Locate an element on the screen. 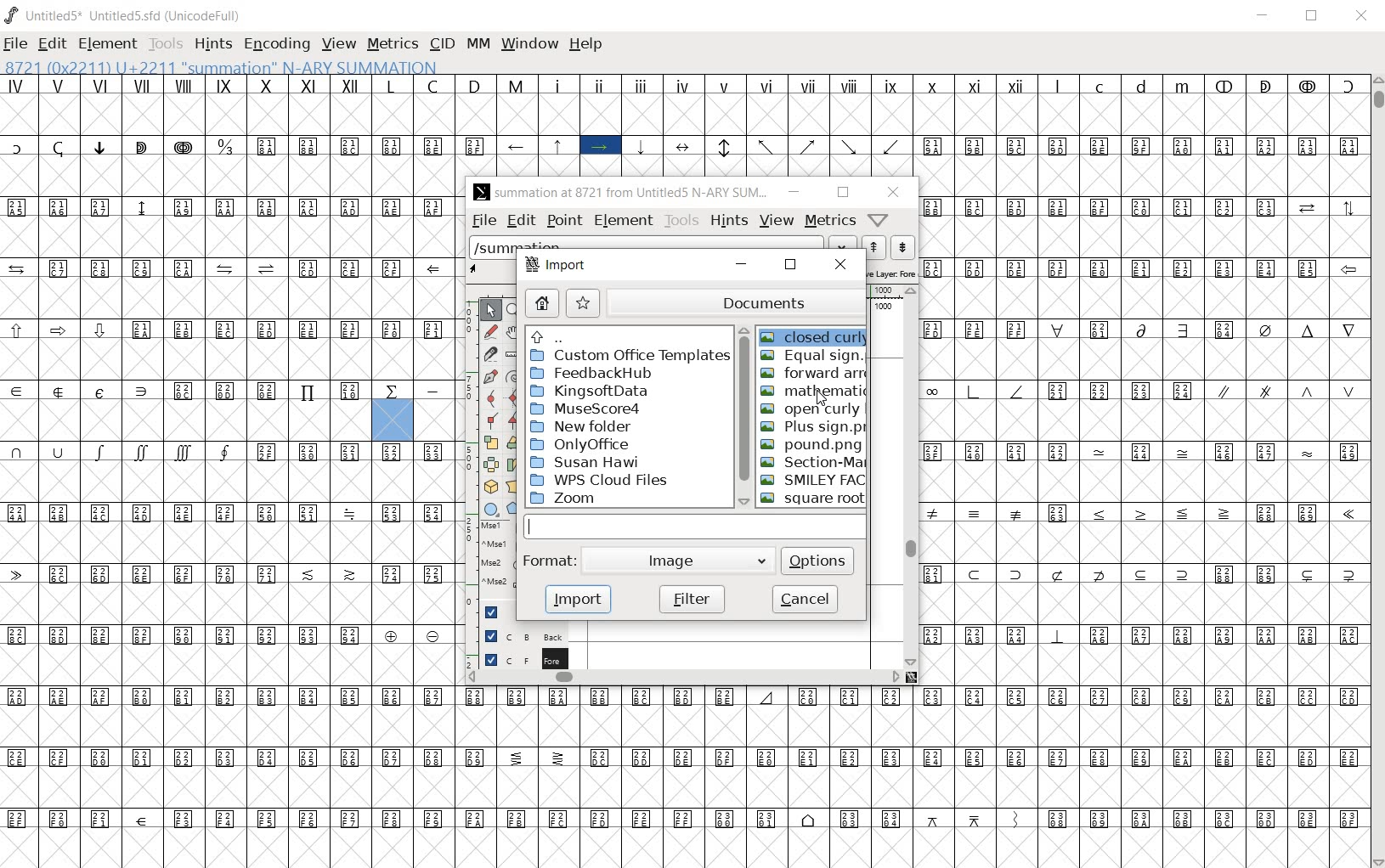 This screenshot has width=1385, height=868. Square root is located at coordinates (817, 500).